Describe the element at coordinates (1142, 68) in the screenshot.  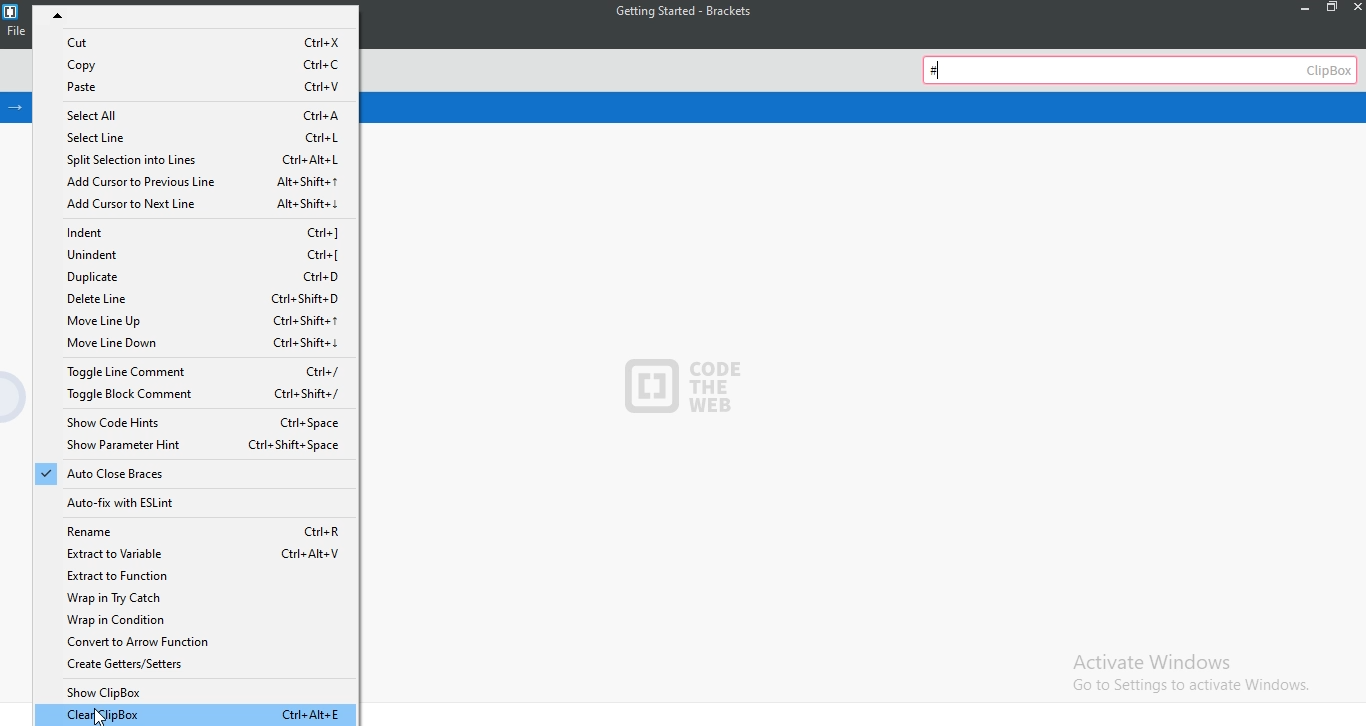
I see `clipbox` at that location.